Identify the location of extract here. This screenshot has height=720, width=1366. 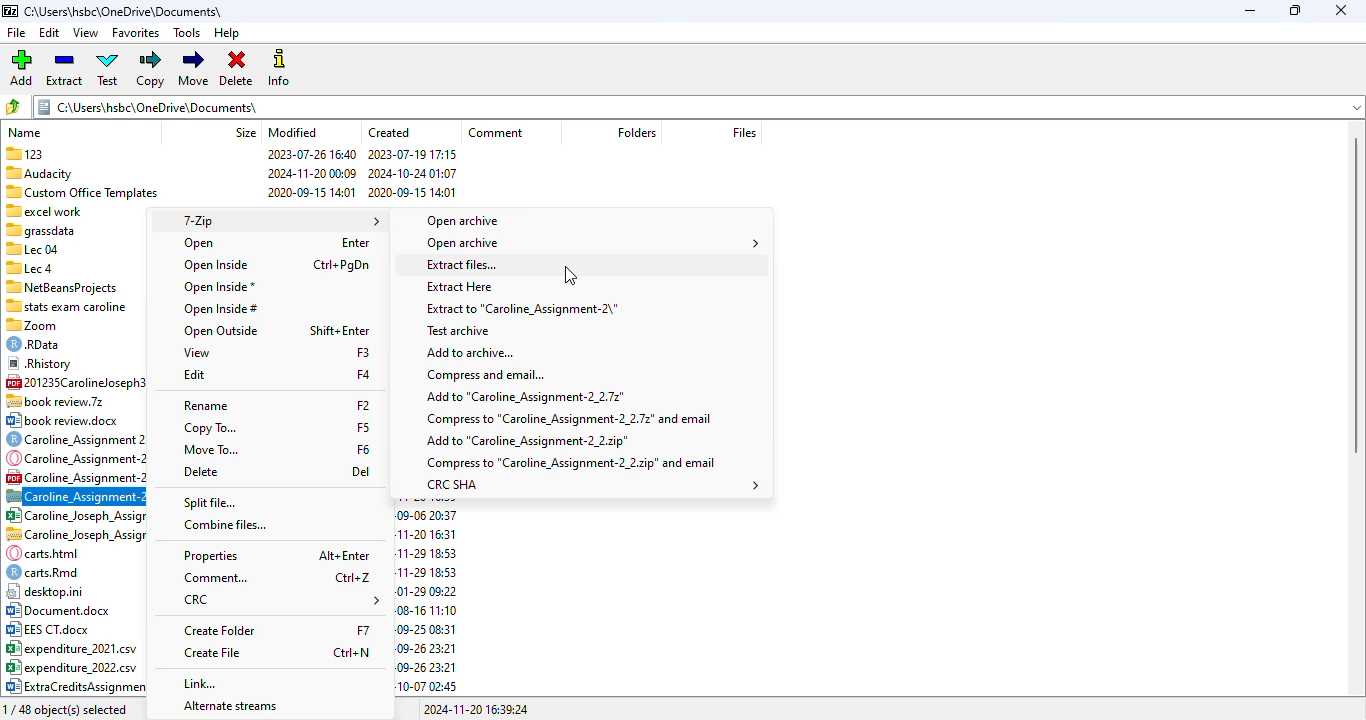
(460, 286).